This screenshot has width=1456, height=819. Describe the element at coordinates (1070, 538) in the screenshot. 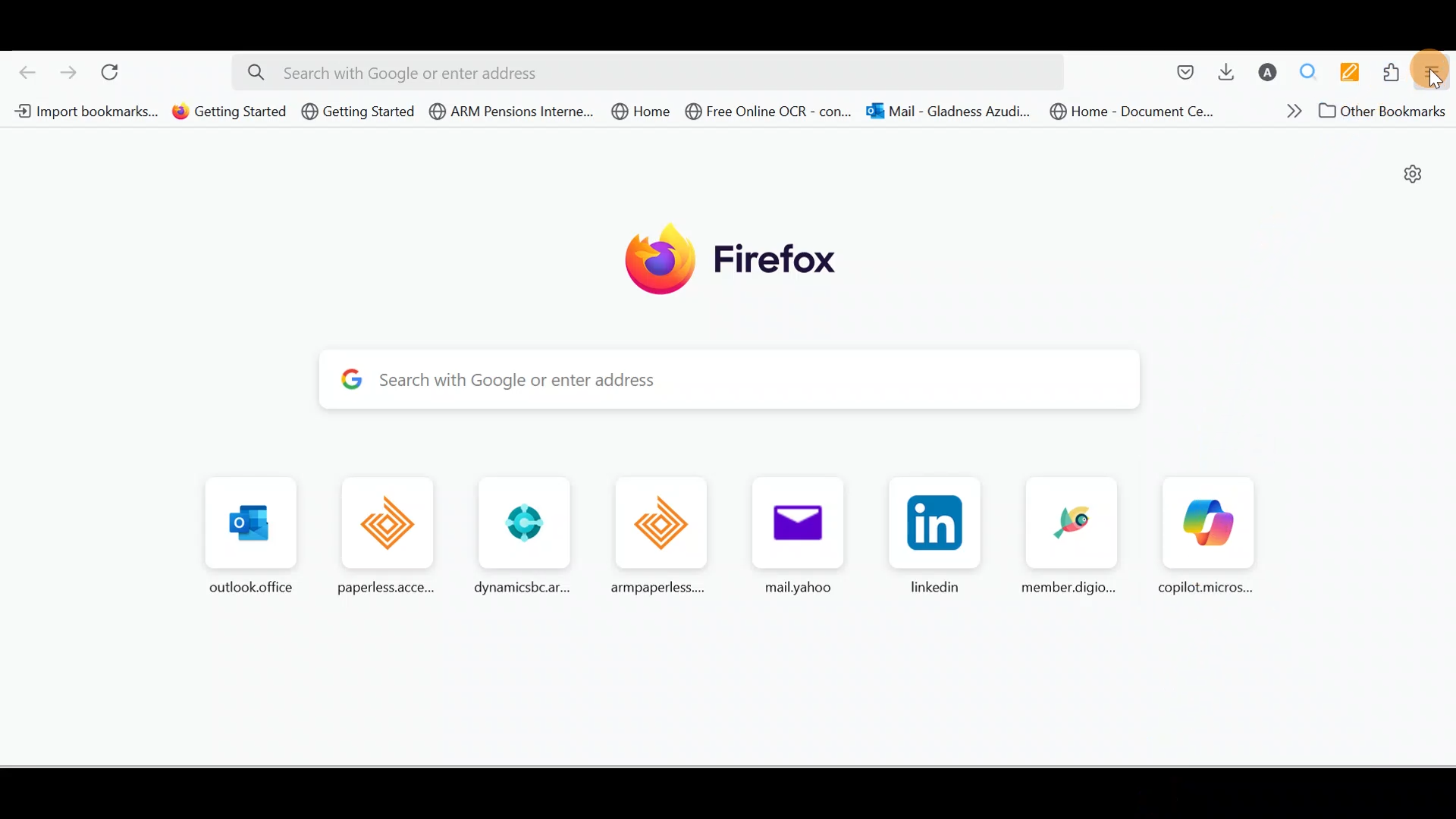

I see `memberdigio...` at that location.